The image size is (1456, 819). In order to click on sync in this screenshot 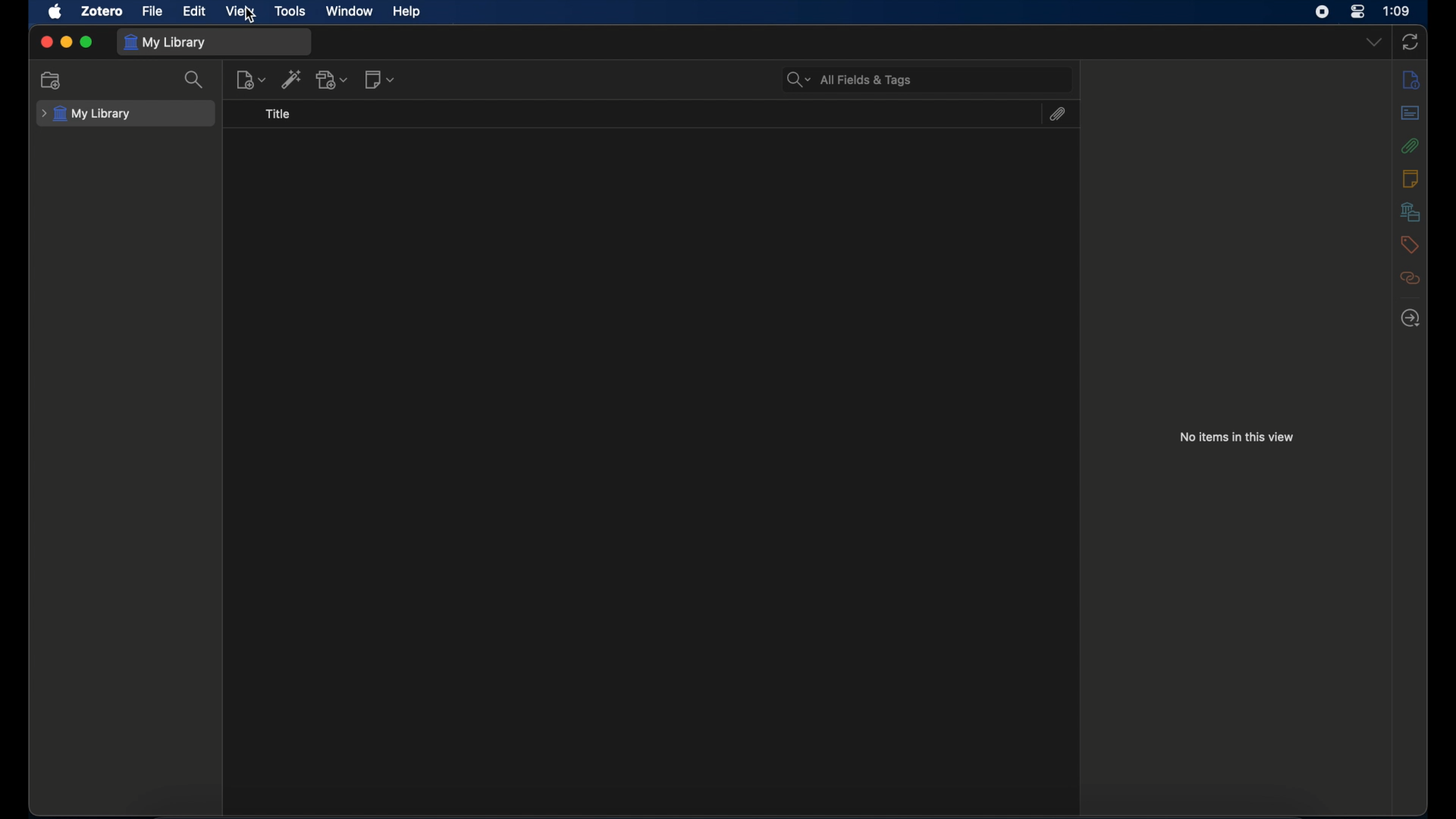, I will do `click(1411, 42)`.